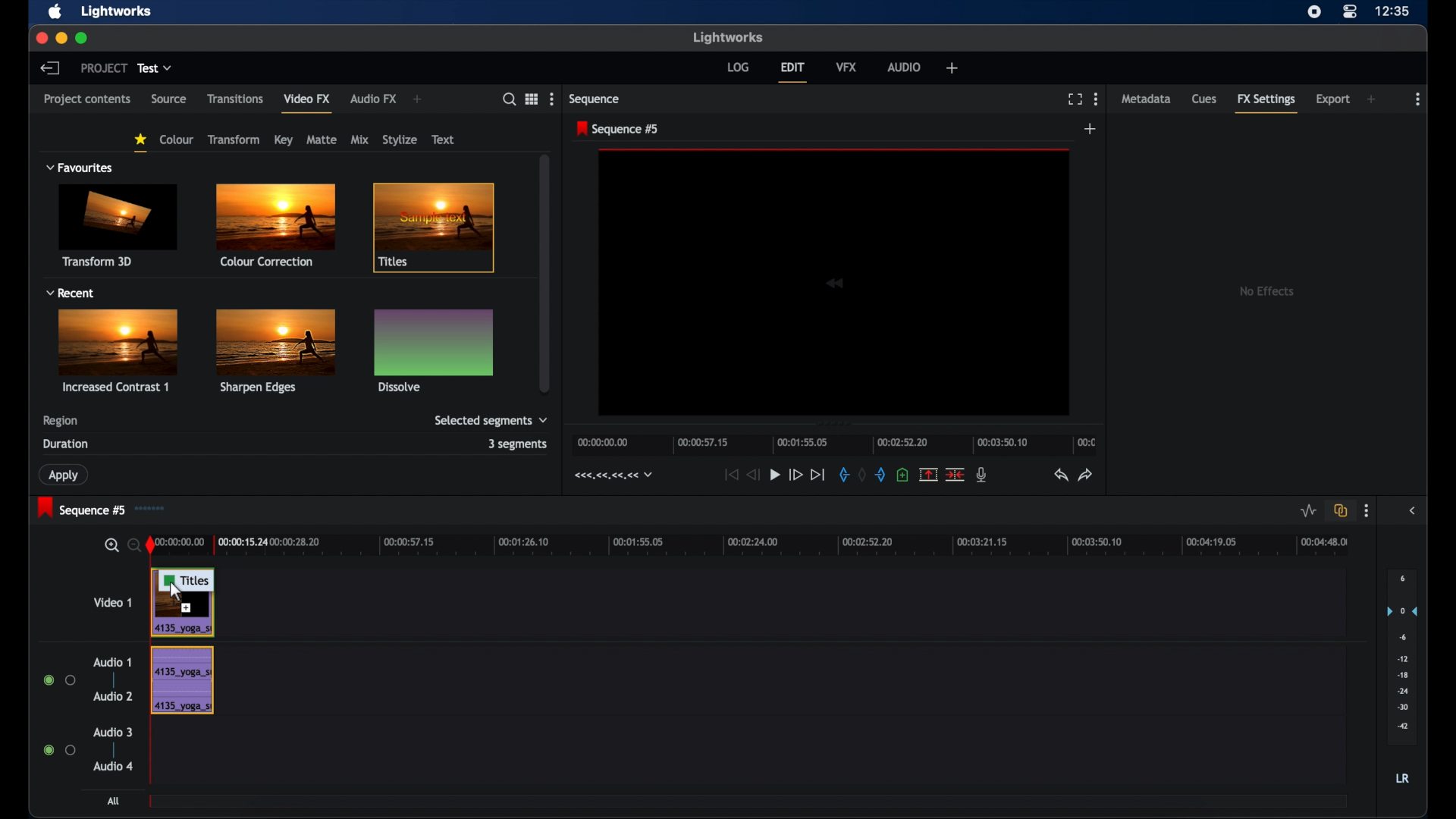  Describe the element at coordinates (306, 98) in the screenshot. I see `video fx` at that location.